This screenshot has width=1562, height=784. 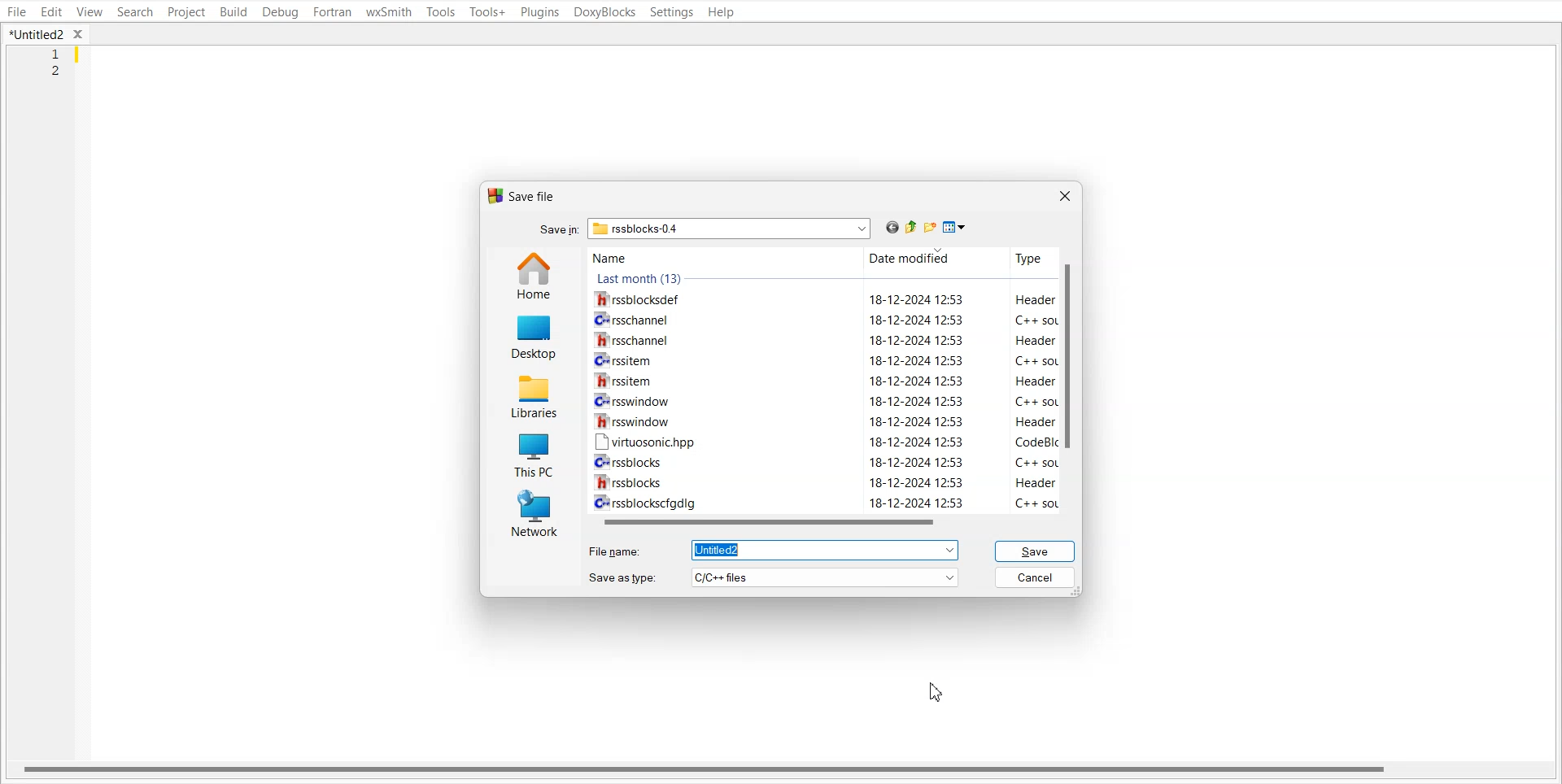 What do you see at coordinates (281, 11) in the screenshot?
I see `Debug` at bounding box center [281, 11].